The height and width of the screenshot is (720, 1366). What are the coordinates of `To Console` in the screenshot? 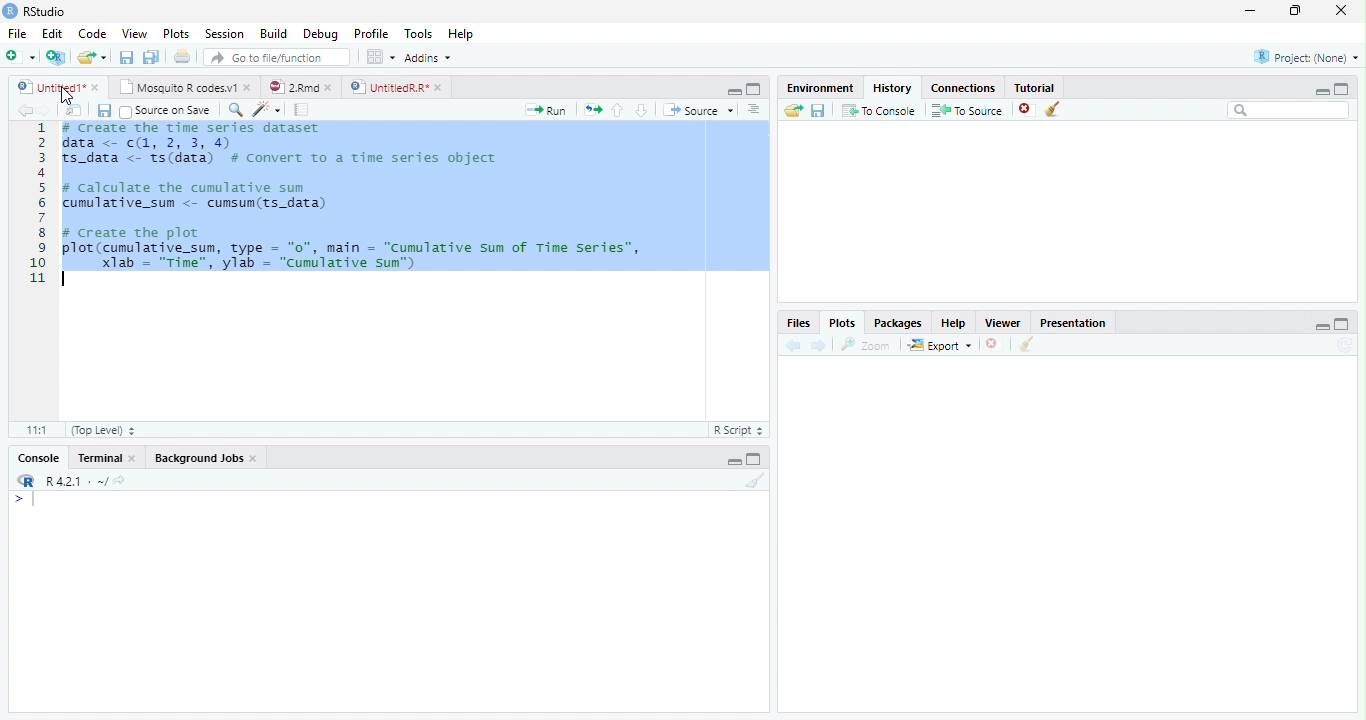 It's located at (879, 113).